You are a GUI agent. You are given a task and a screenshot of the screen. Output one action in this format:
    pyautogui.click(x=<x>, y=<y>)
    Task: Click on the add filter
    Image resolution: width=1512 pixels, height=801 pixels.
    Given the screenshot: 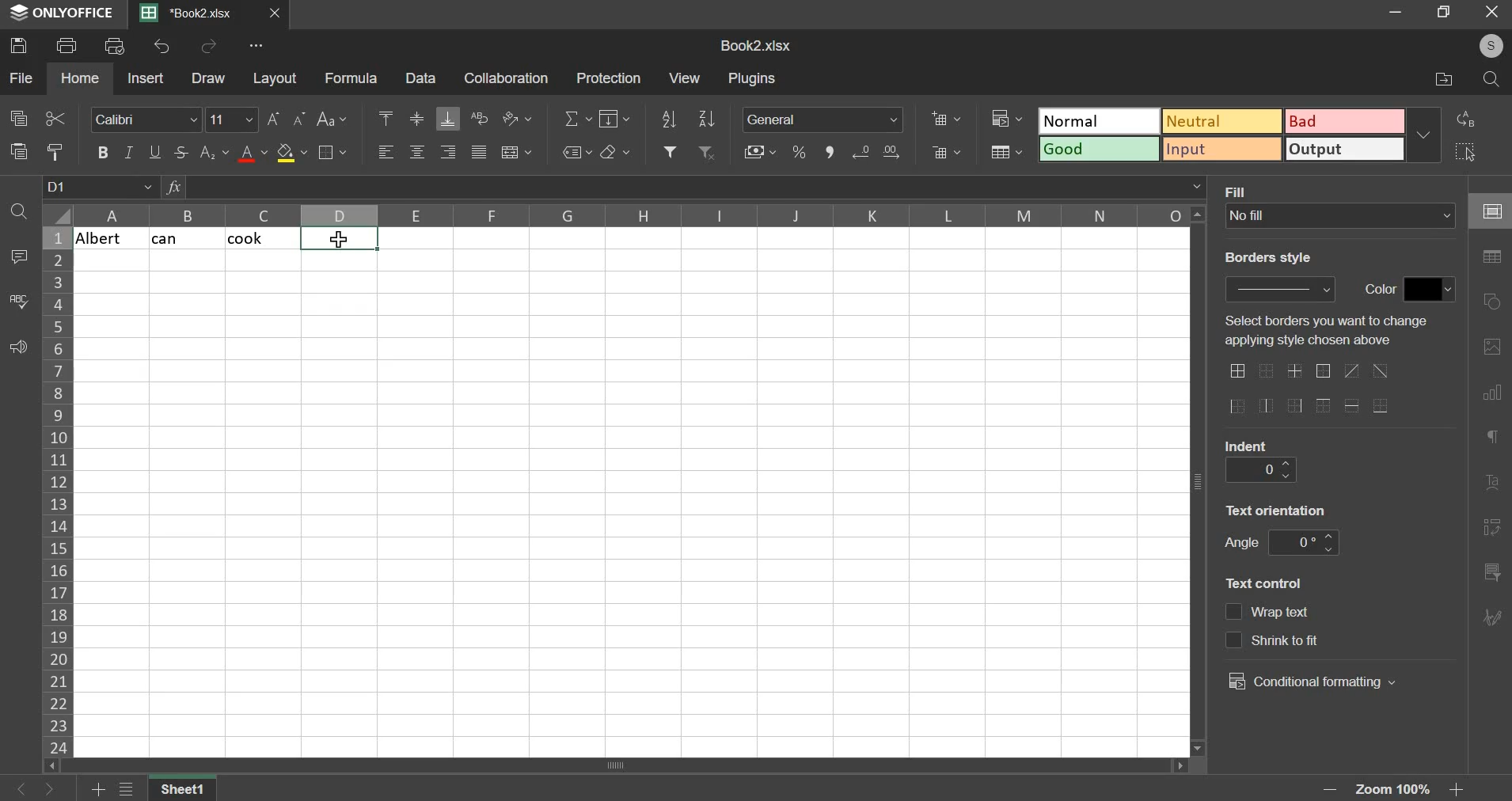 What is the action you would take?
    pyautogui.click(x=668, y=150)
    